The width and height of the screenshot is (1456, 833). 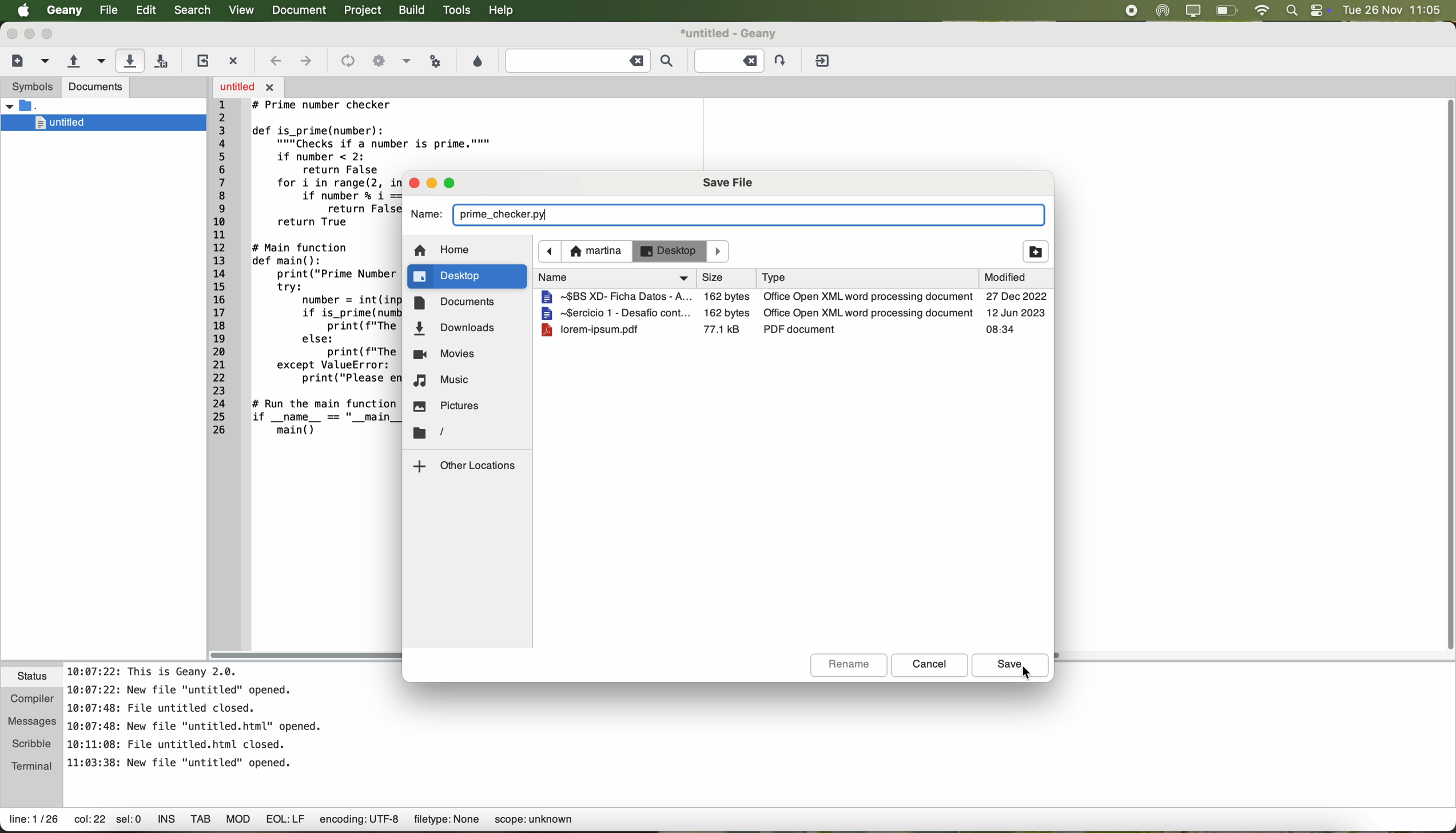 What do you see at coordinates (347, 61) in the screenshot?
I see `icon` at bounding box center [347, 61].